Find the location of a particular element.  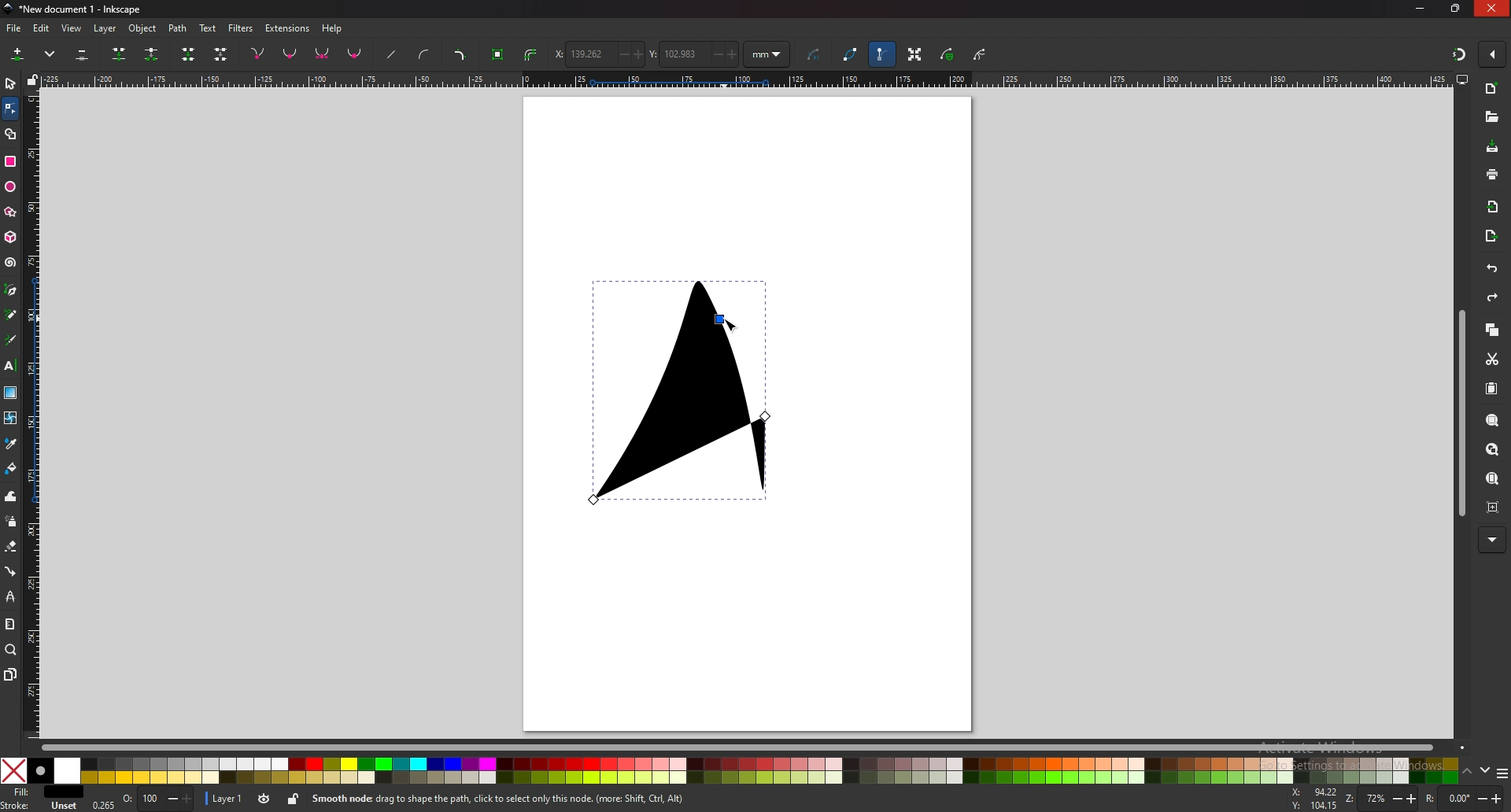

open is located at coordinates (1492, 117).